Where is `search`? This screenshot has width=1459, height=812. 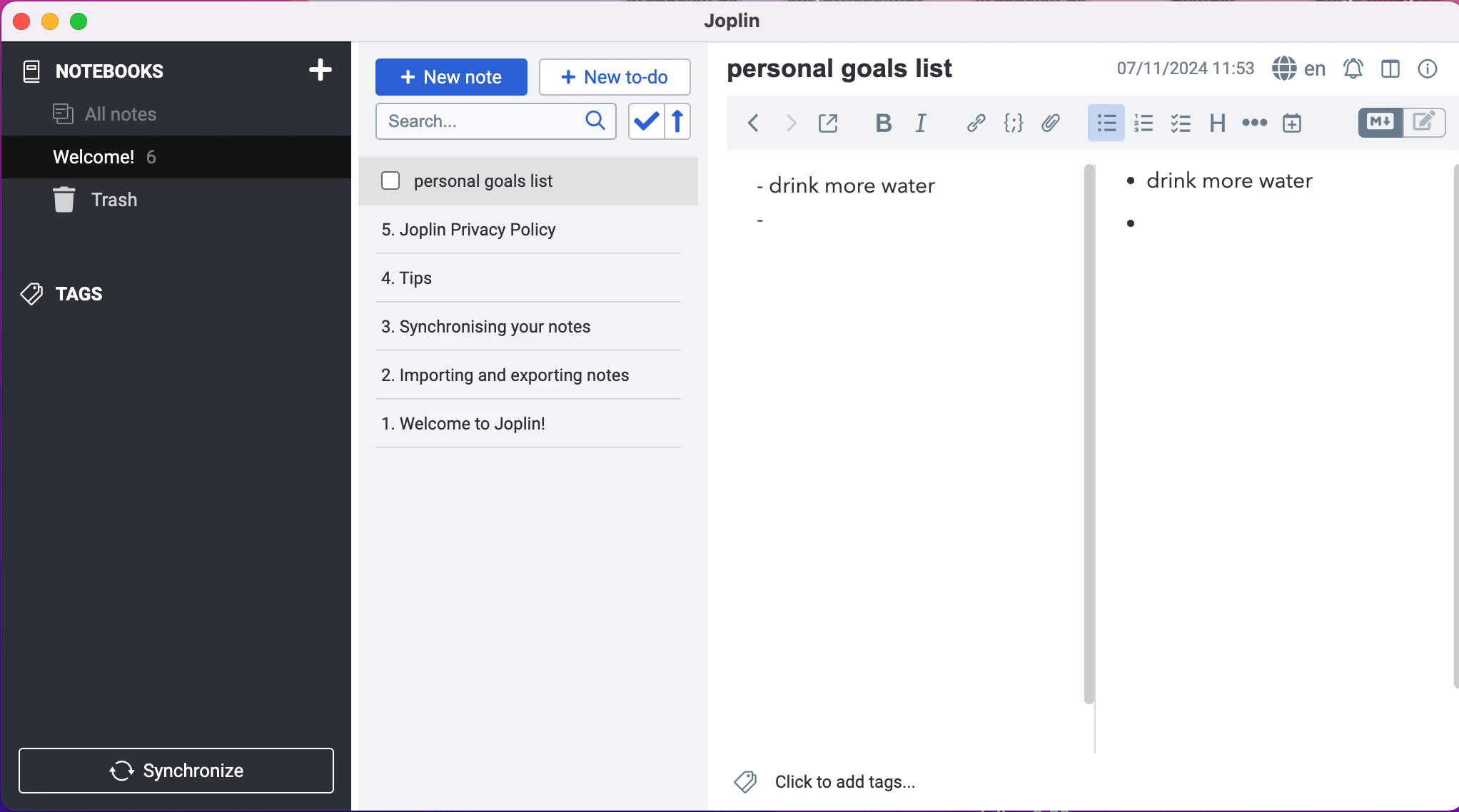 search is located at coordinates (494, 123).